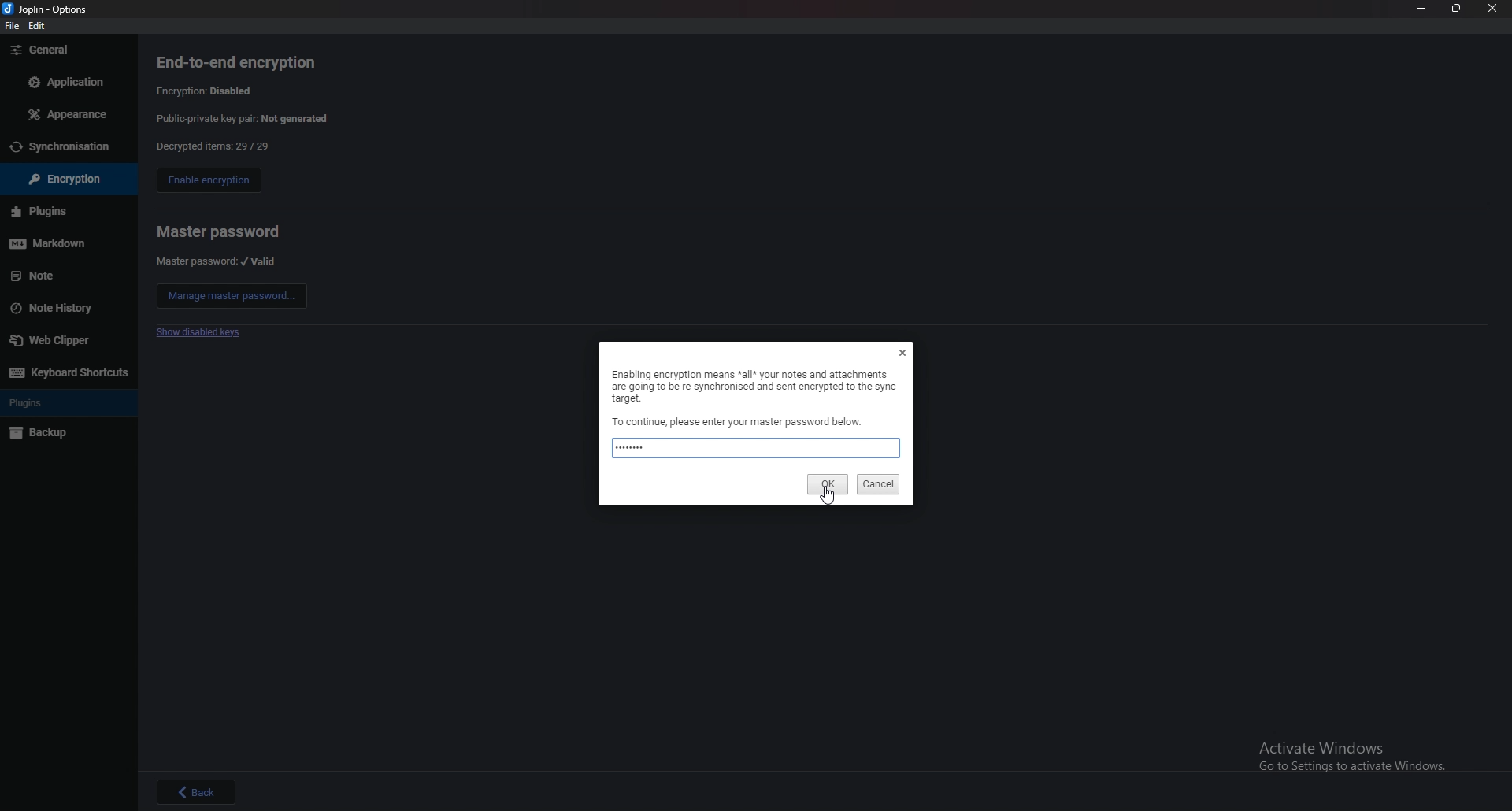 This screenshot has height=811, width=1512. I want to click on , so click(1360, 757).